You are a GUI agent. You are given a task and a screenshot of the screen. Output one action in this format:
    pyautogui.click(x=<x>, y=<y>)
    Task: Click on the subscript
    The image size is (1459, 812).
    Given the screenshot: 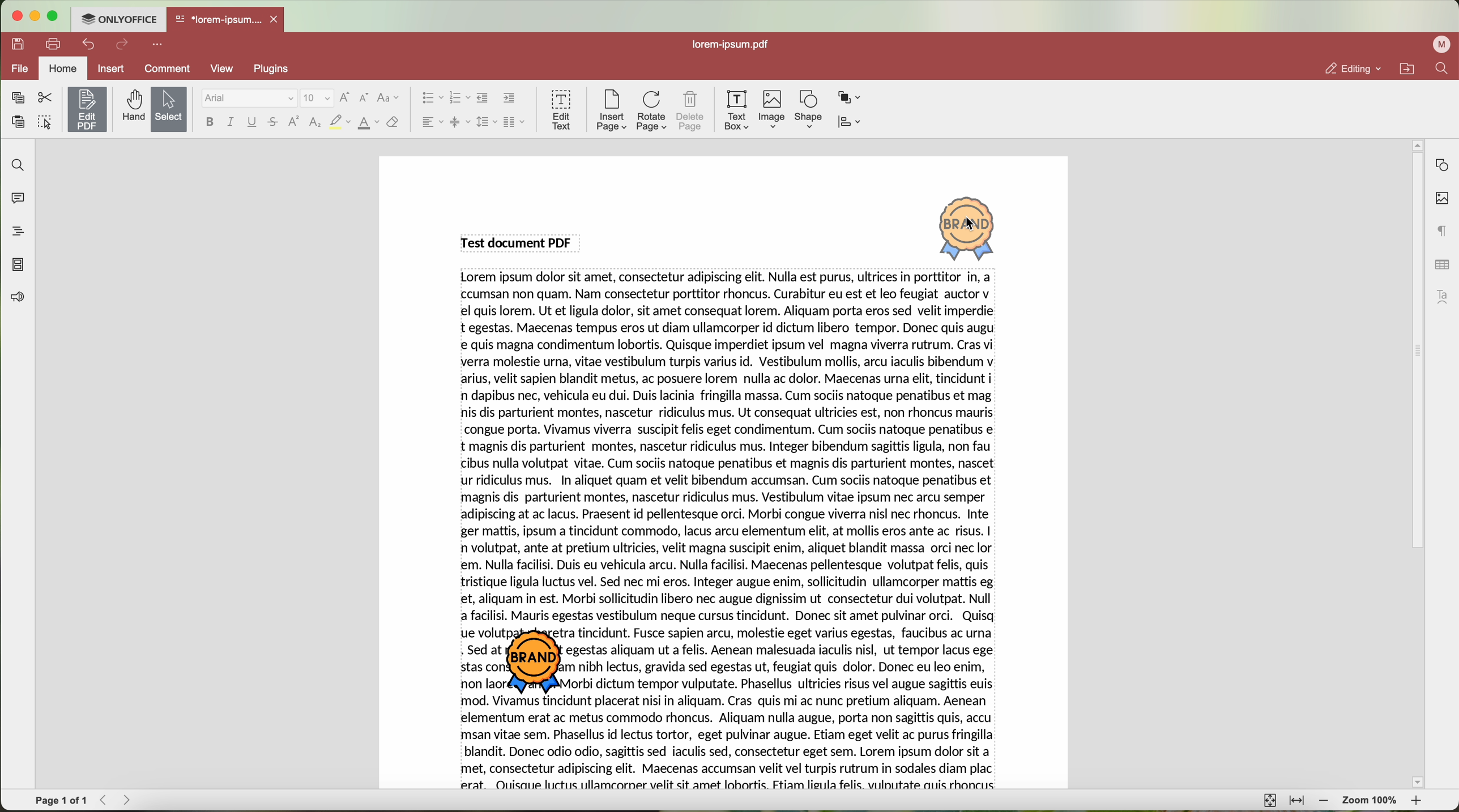 What is the action you would take?
    pyautogui.click(x=316, y=123)
    